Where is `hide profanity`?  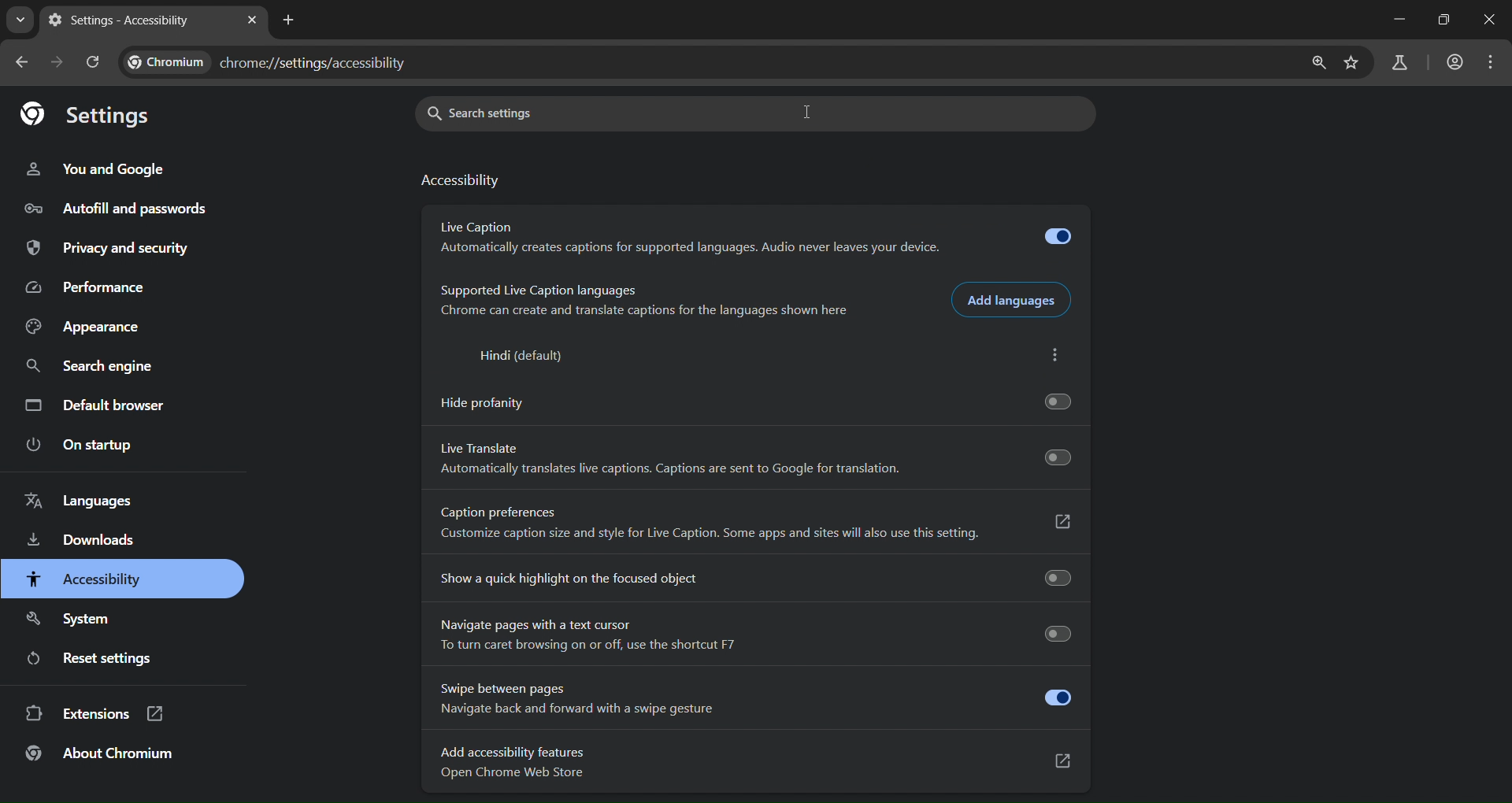 hide profanity is located at coordinates (750, 400).